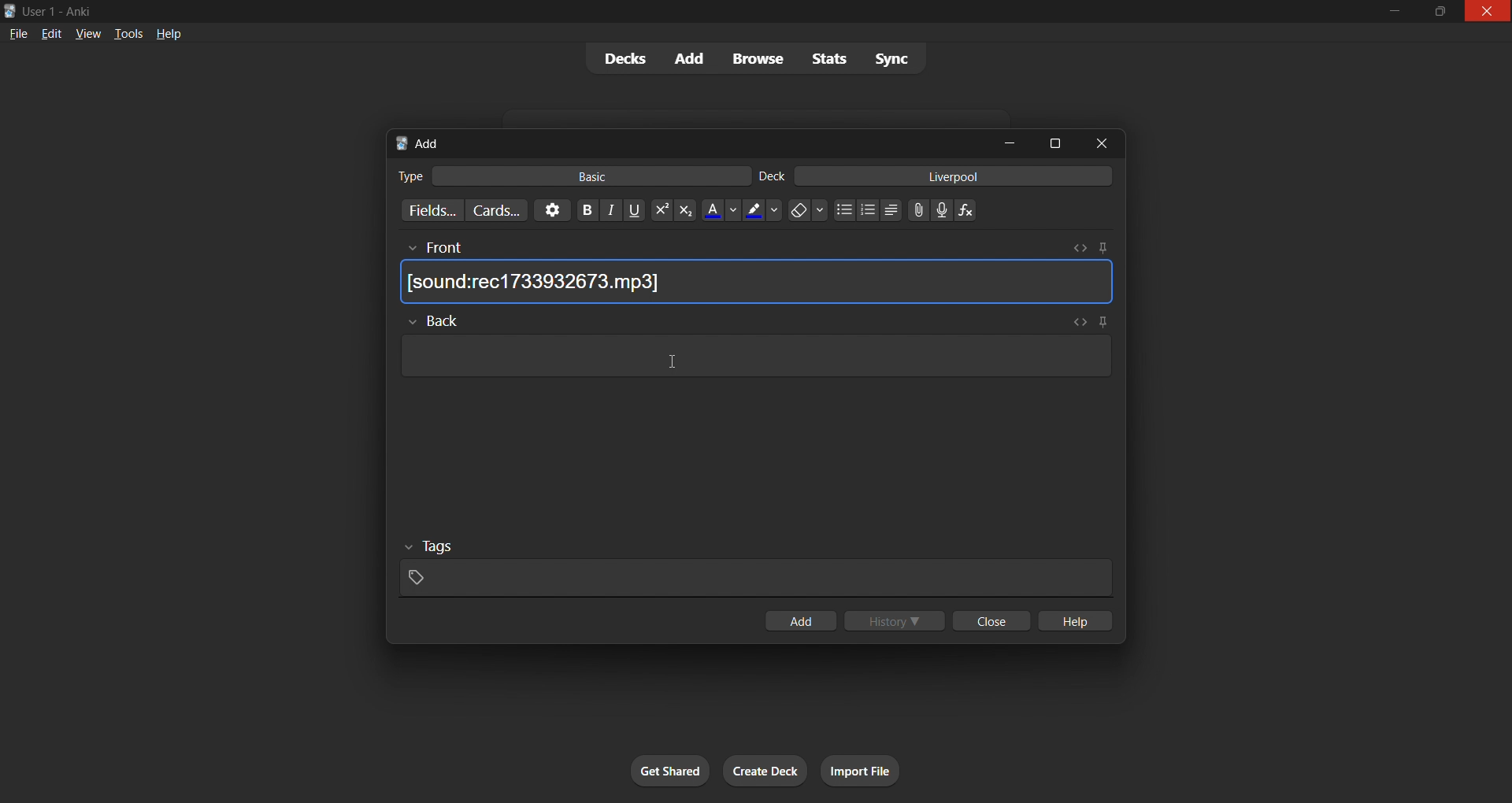  What do you see at coordinates (685, 211) in the screenshot?
I see `subscript` at bounding box center [685, 211].